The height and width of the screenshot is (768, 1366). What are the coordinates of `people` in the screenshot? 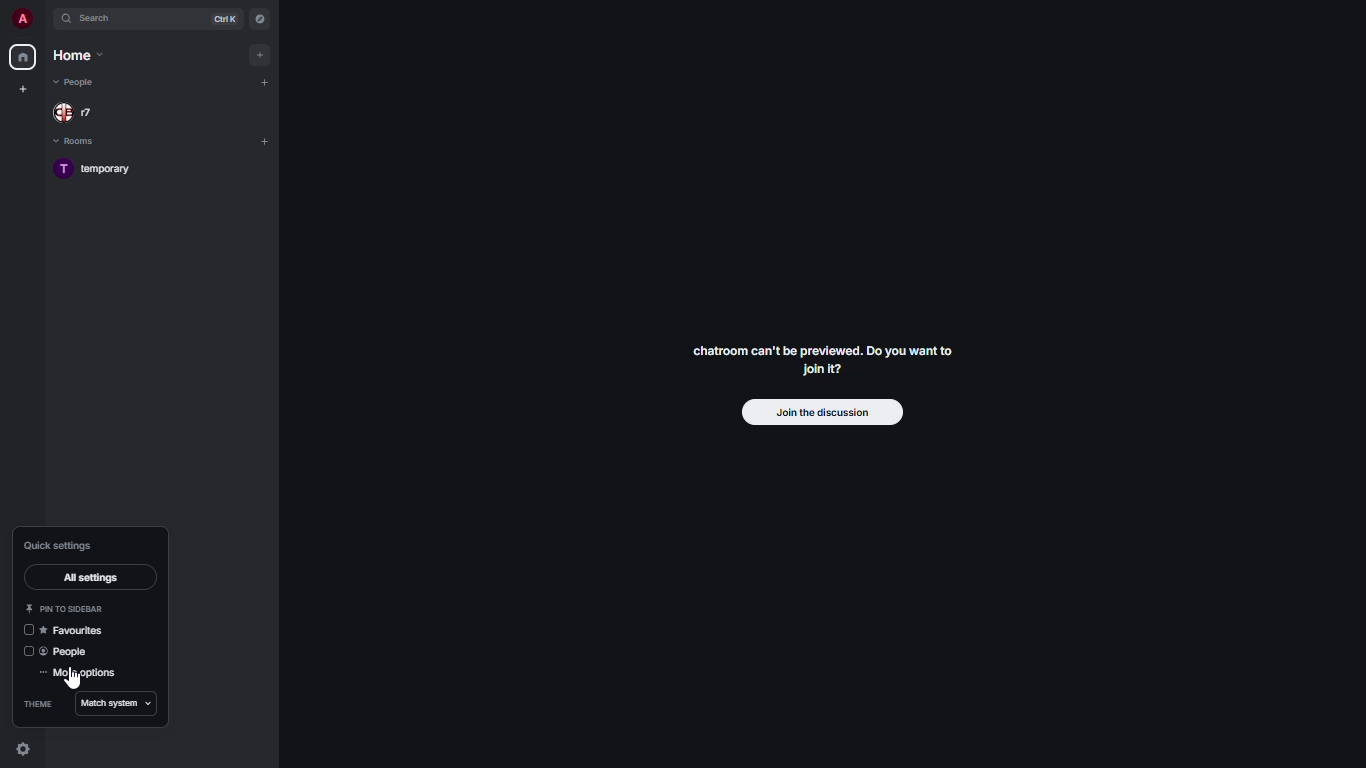 It's located at (68, 652).